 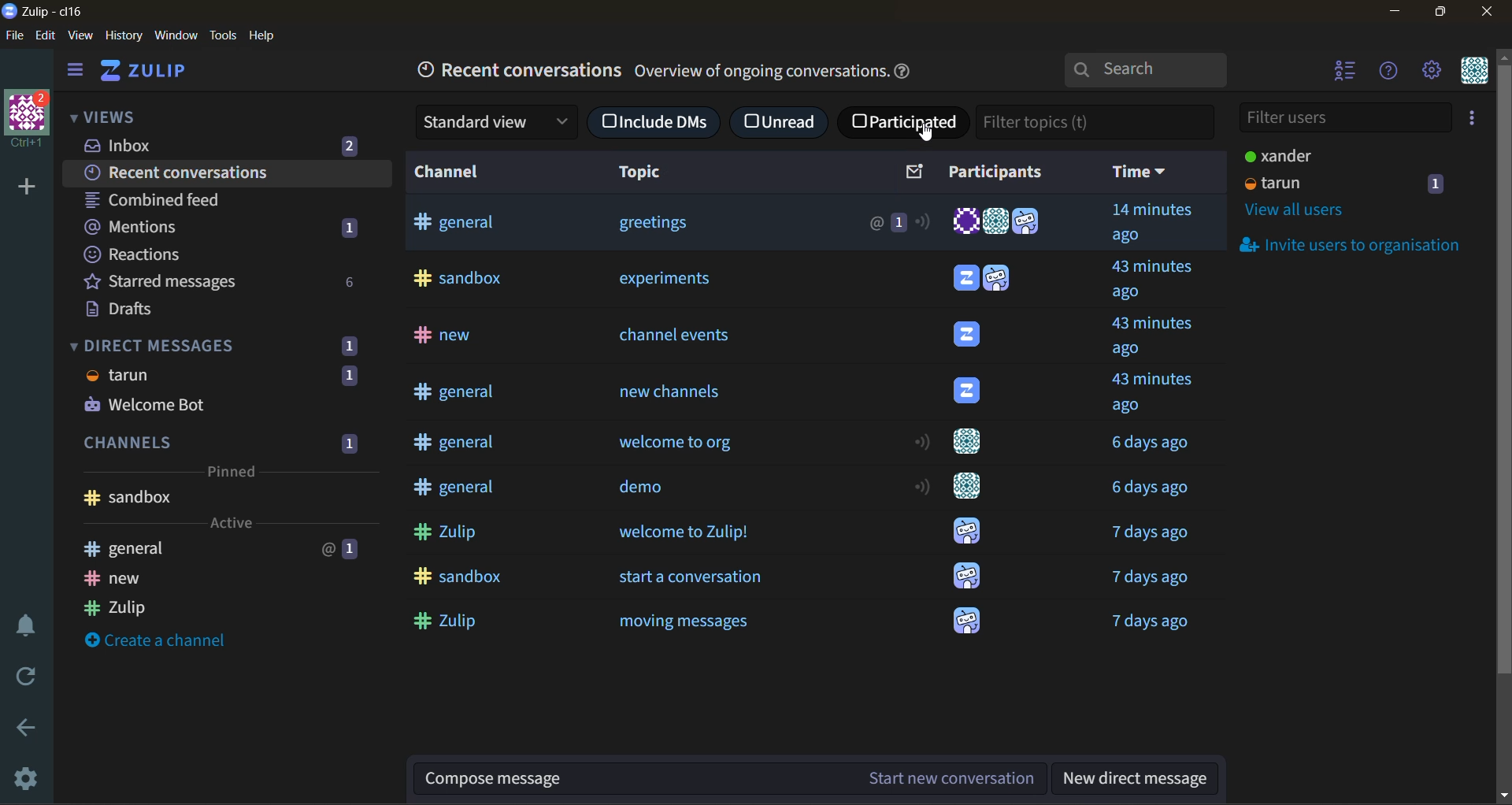 I want to click on inbox, so click(x=241, y=144).